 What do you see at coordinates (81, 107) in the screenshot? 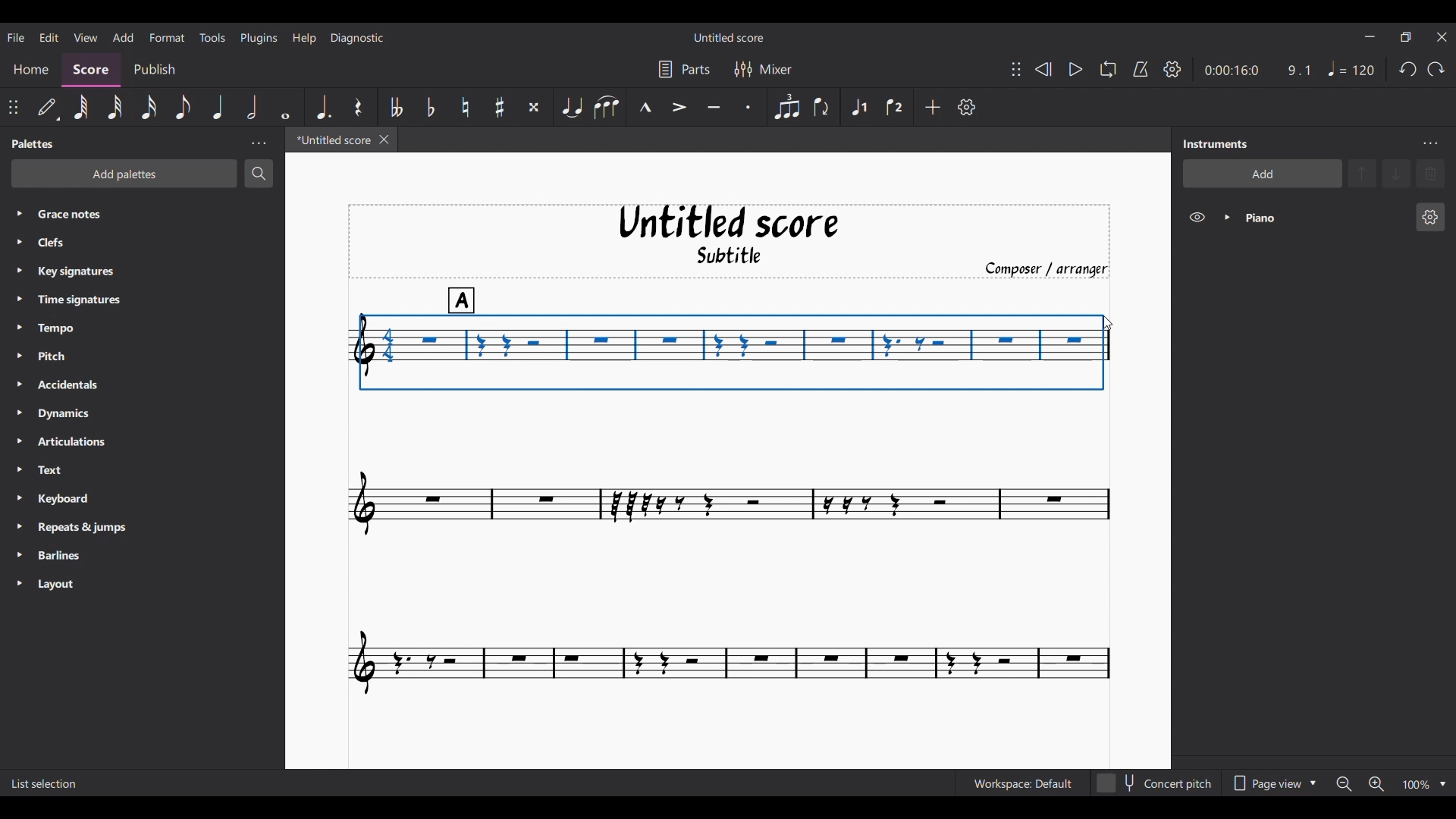
I see `64th note` at bounding box center [81, 107].